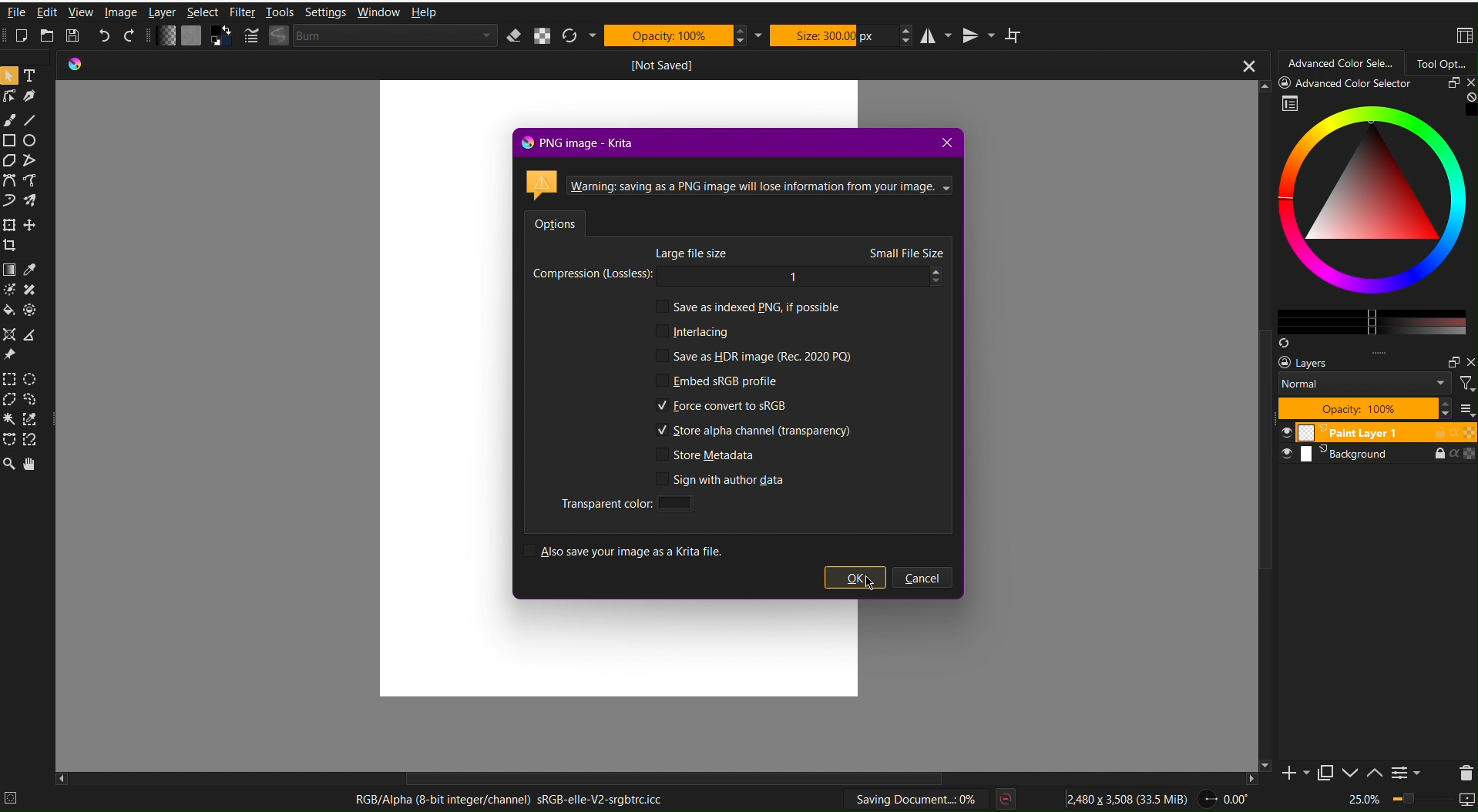 Image resolution: width=1478 pixels, height=812 pixels. What do you see at coordinates (9, 100) in the screenshot?
I see `Linework` at bounding box center [9, 100].